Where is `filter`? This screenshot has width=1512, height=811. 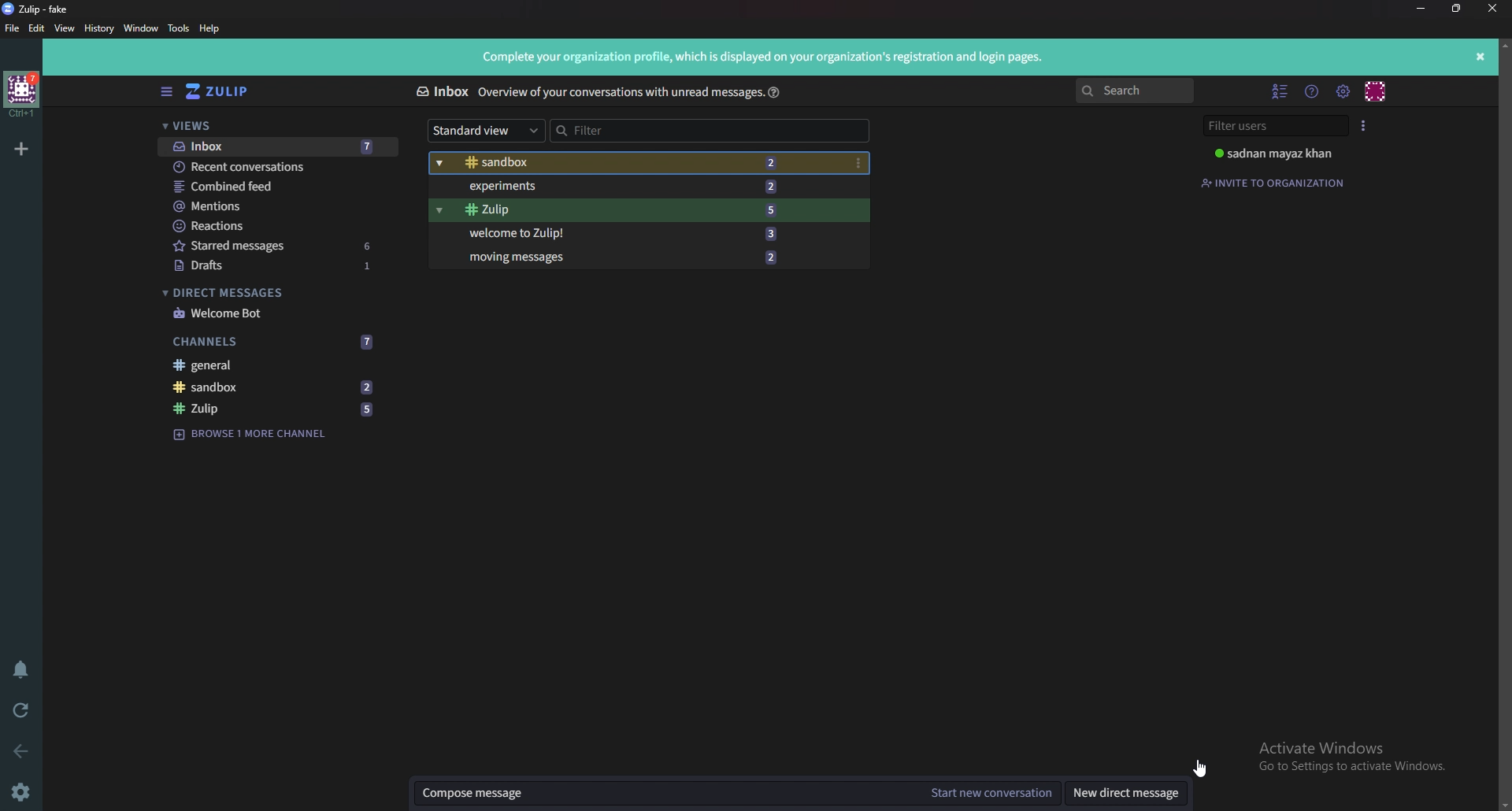
filter is located at coordinates (710, 131).